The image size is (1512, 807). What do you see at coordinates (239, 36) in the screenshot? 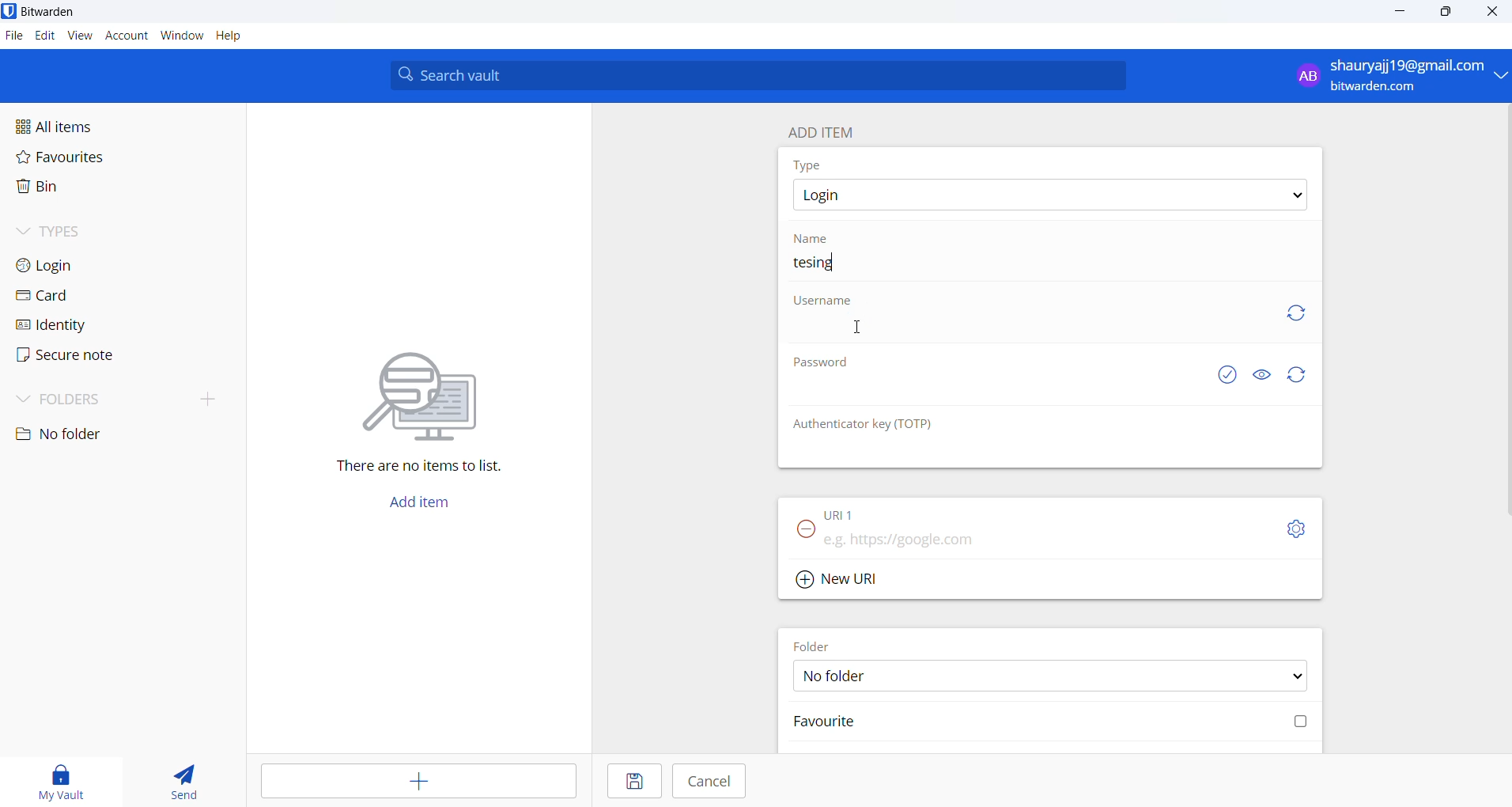
I see `help` at bounding box center [239, 36].